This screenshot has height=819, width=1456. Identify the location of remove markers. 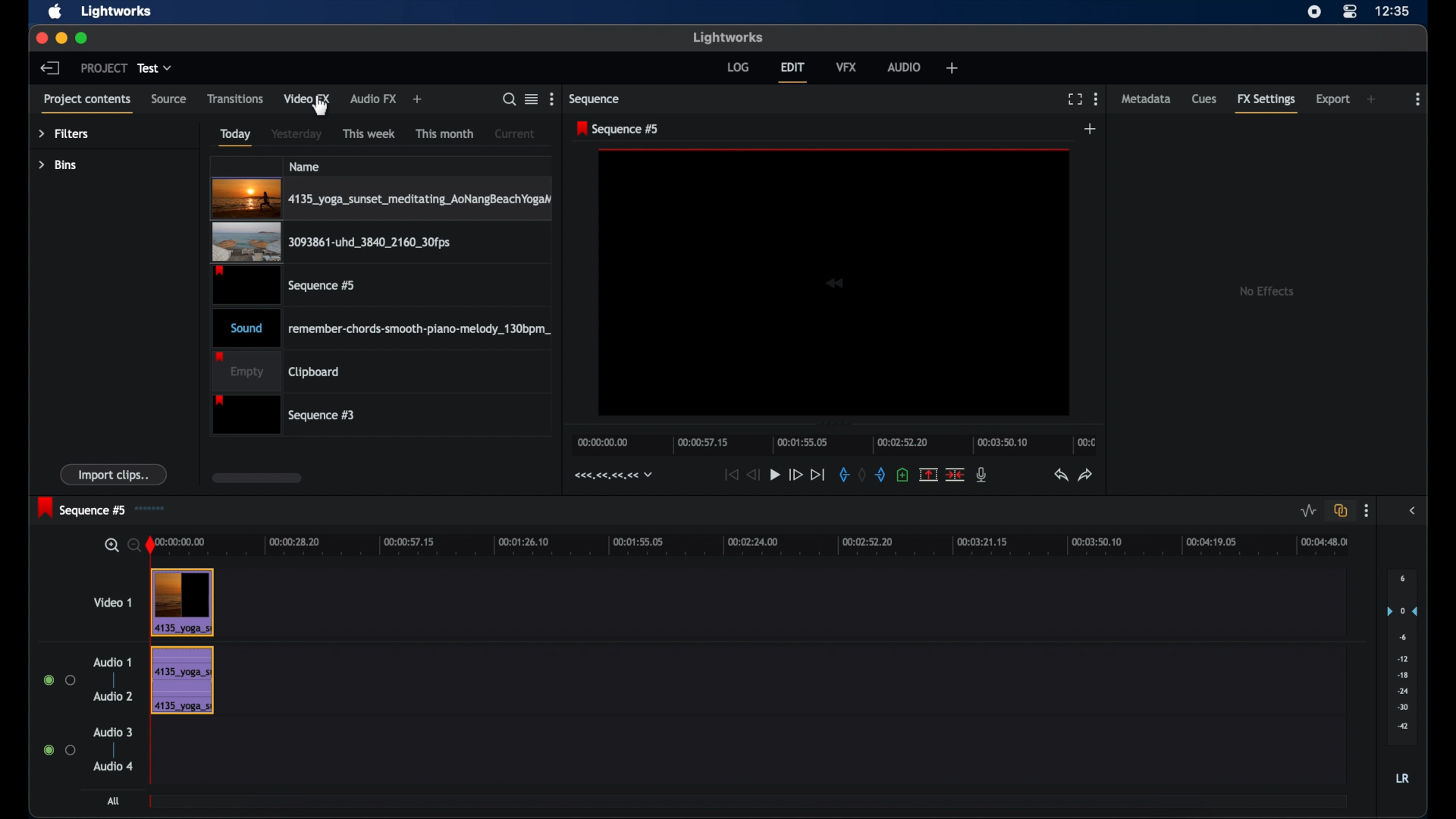
(861, 475).